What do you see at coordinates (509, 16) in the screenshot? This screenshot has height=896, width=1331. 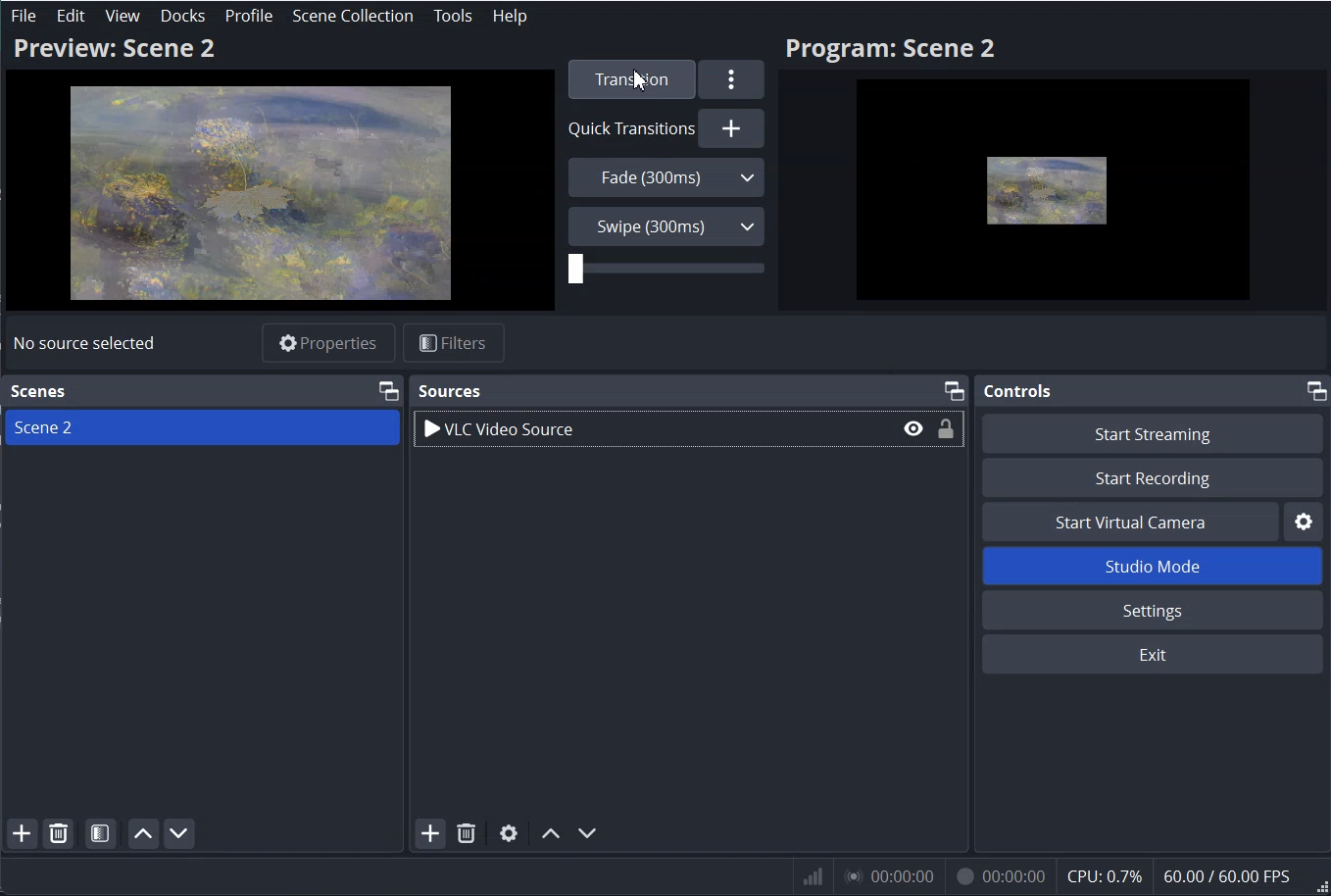 I see `Help` at bounding box center [509, 16].